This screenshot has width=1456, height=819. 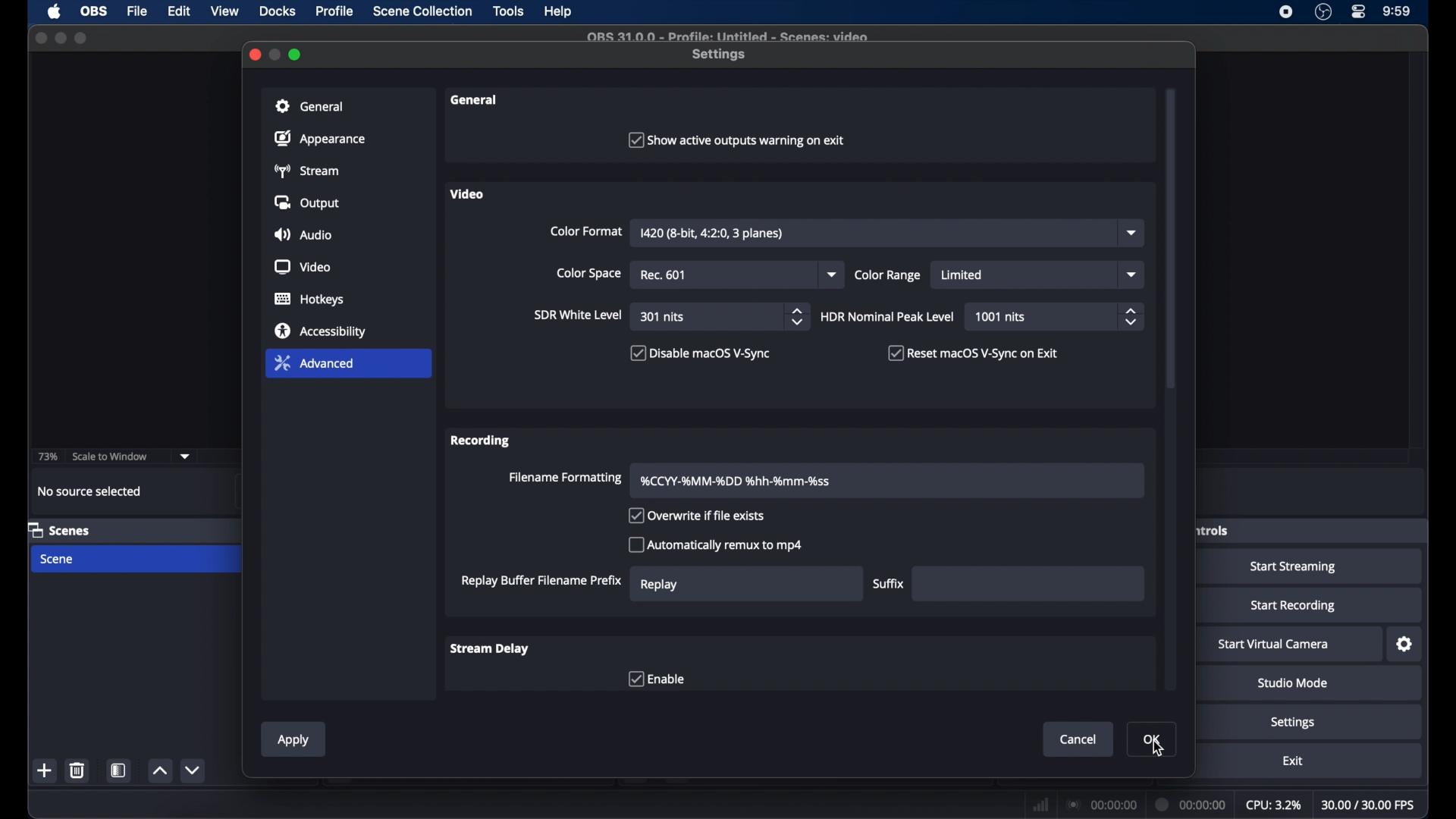 I want to click on scene filters, so click(x=121, y=770).